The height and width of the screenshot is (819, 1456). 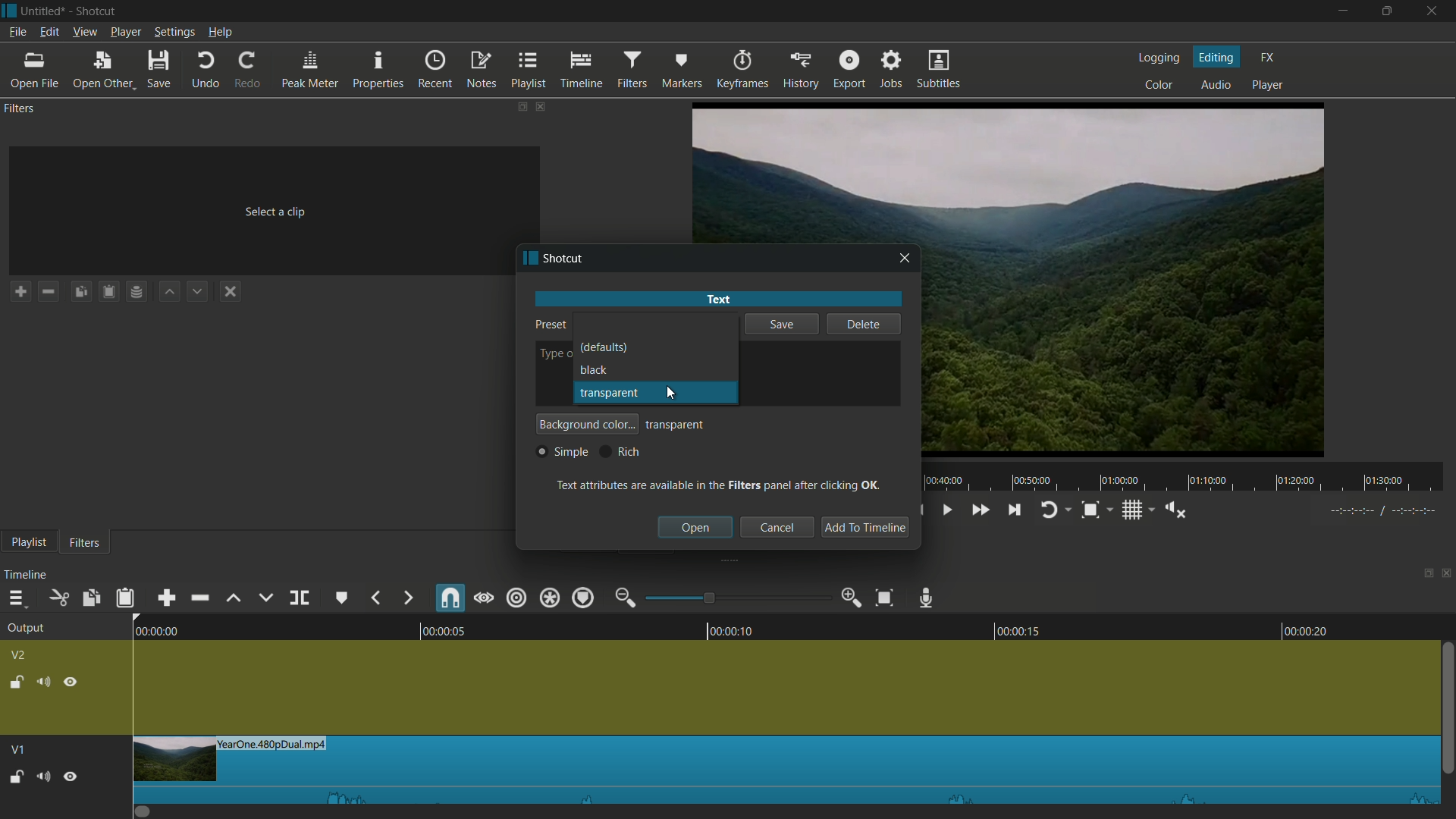 What do you see at coordinates (1131, 510) in the screenshot?
I see `toggle grid` at bounding box center [1131, 510].